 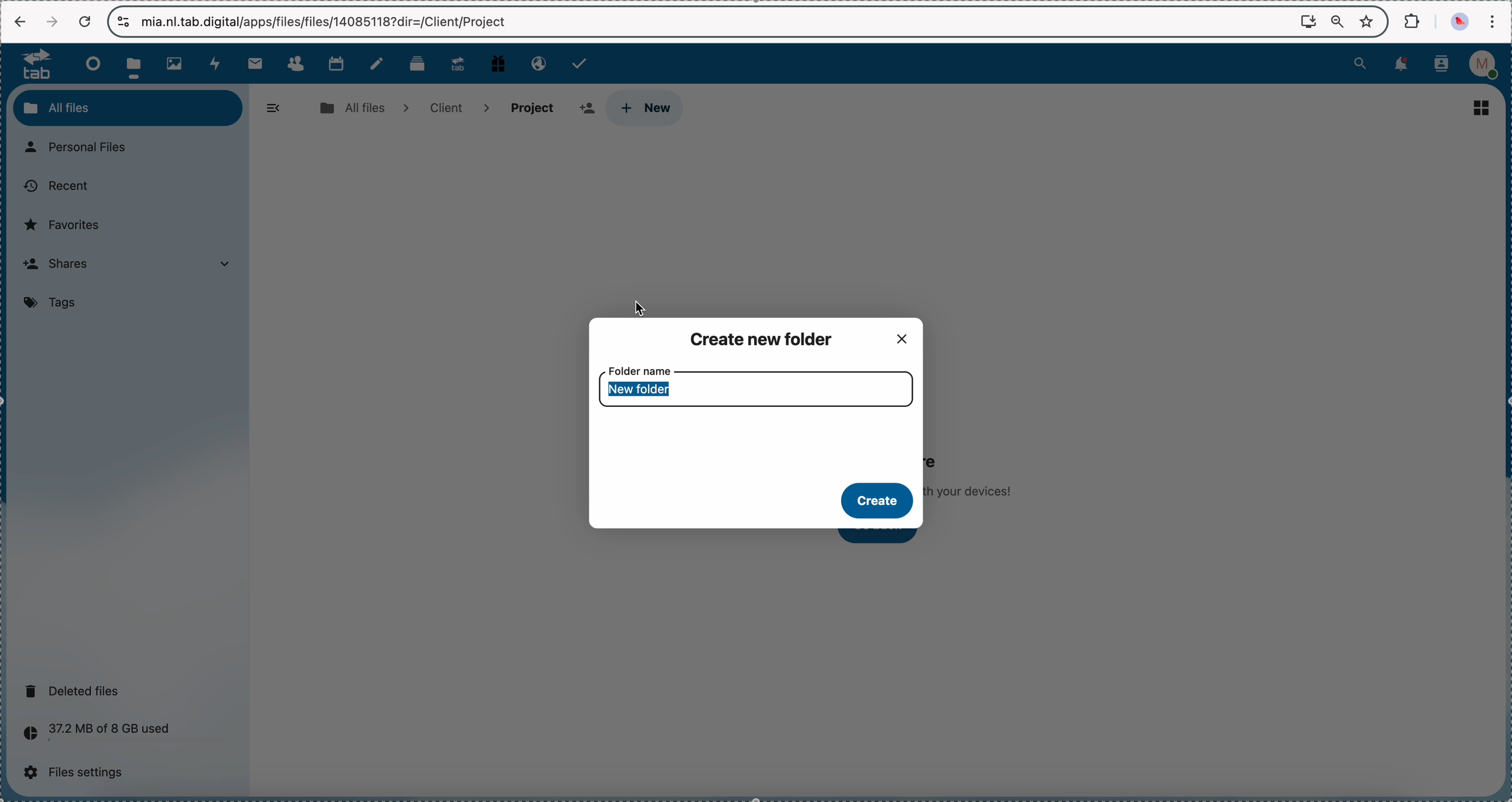 I want to click on client, so click(x=457, y=107).